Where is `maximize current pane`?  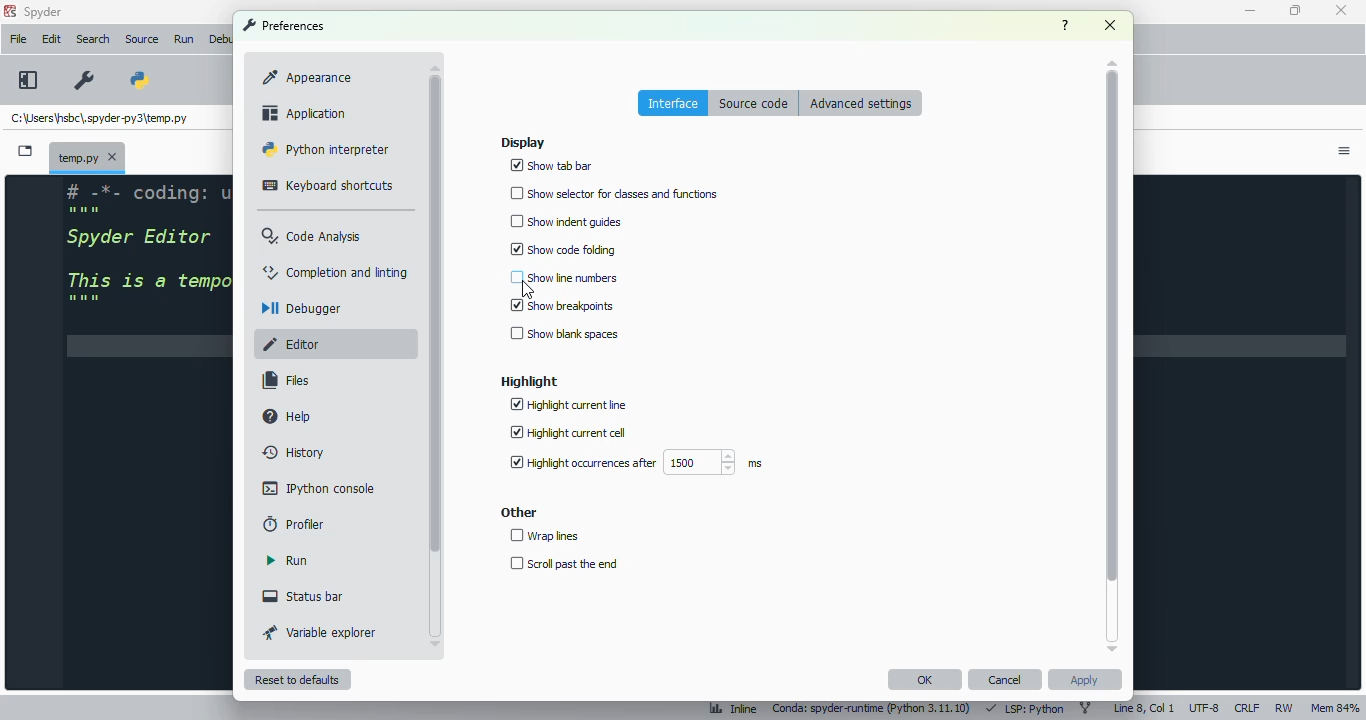 maximize current pane is located at coordinates (28, 79).